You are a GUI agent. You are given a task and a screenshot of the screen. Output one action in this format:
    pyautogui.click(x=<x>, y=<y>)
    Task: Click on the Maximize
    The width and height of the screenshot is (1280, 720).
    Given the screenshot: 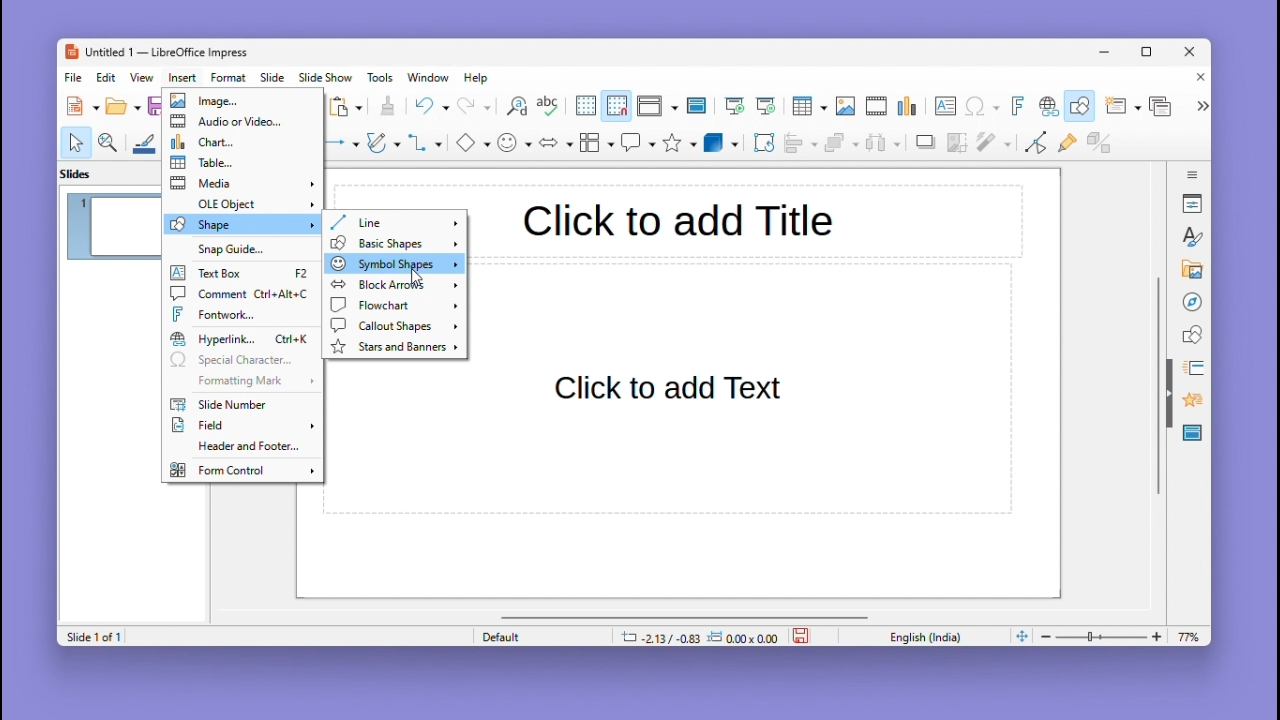 What is the action you would take?
    pyautogui.click(x=1150, y=55)
    